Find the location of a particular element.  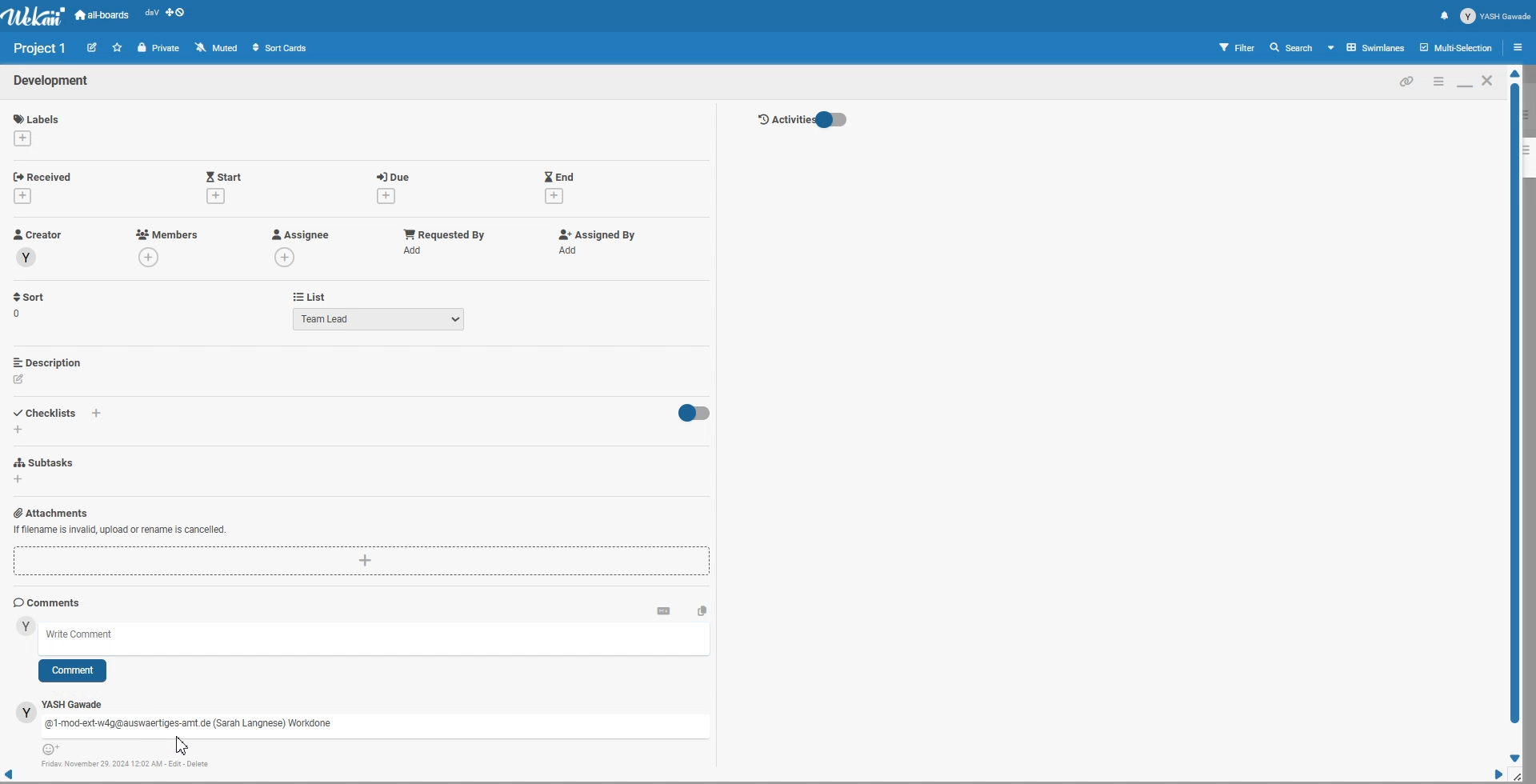

Convert to markdown is located at coordinates (663, 610).